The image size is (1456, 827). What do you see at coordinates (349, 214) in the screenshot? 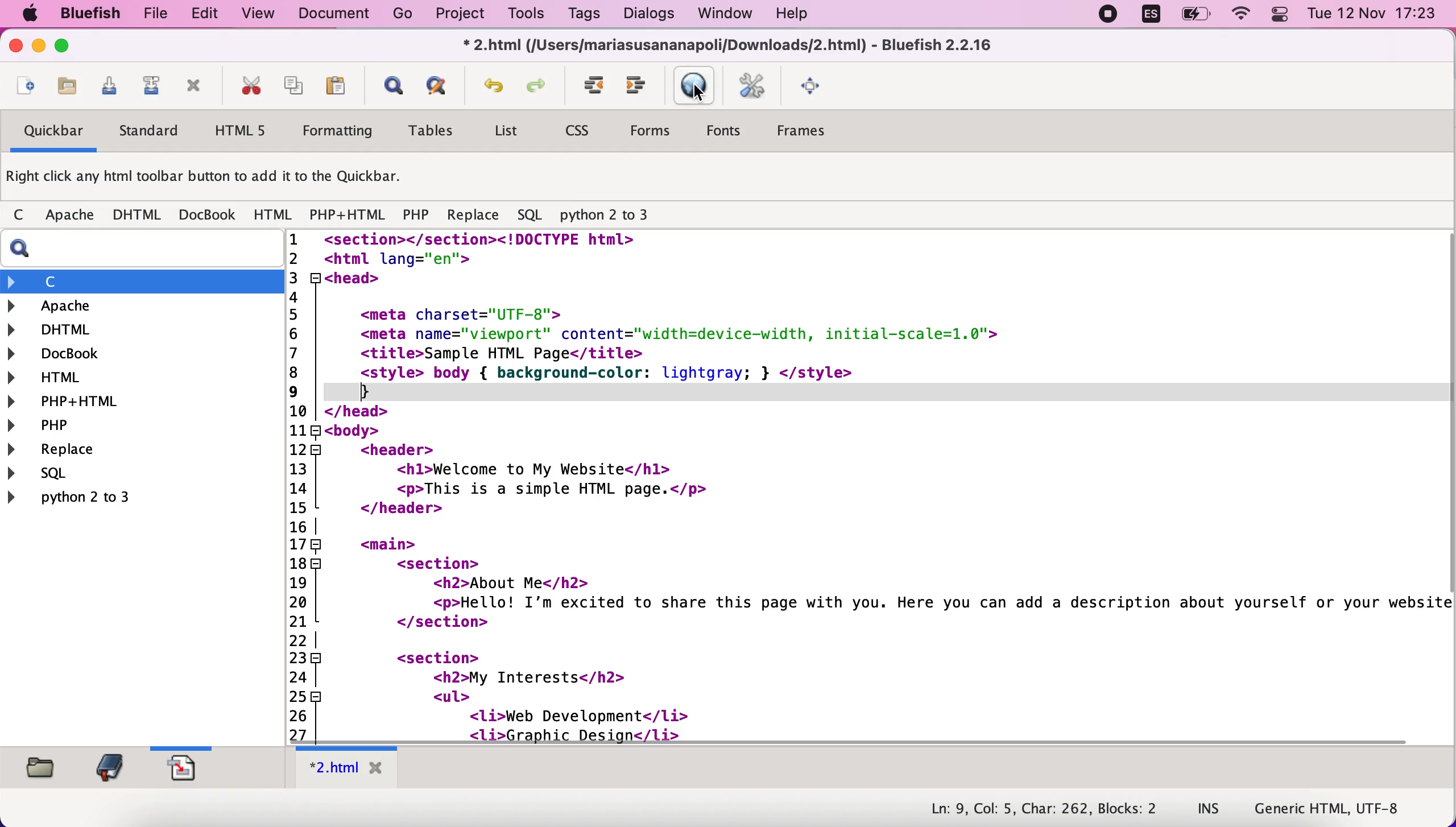
I see `php+html` at bounding box center [349, 214].